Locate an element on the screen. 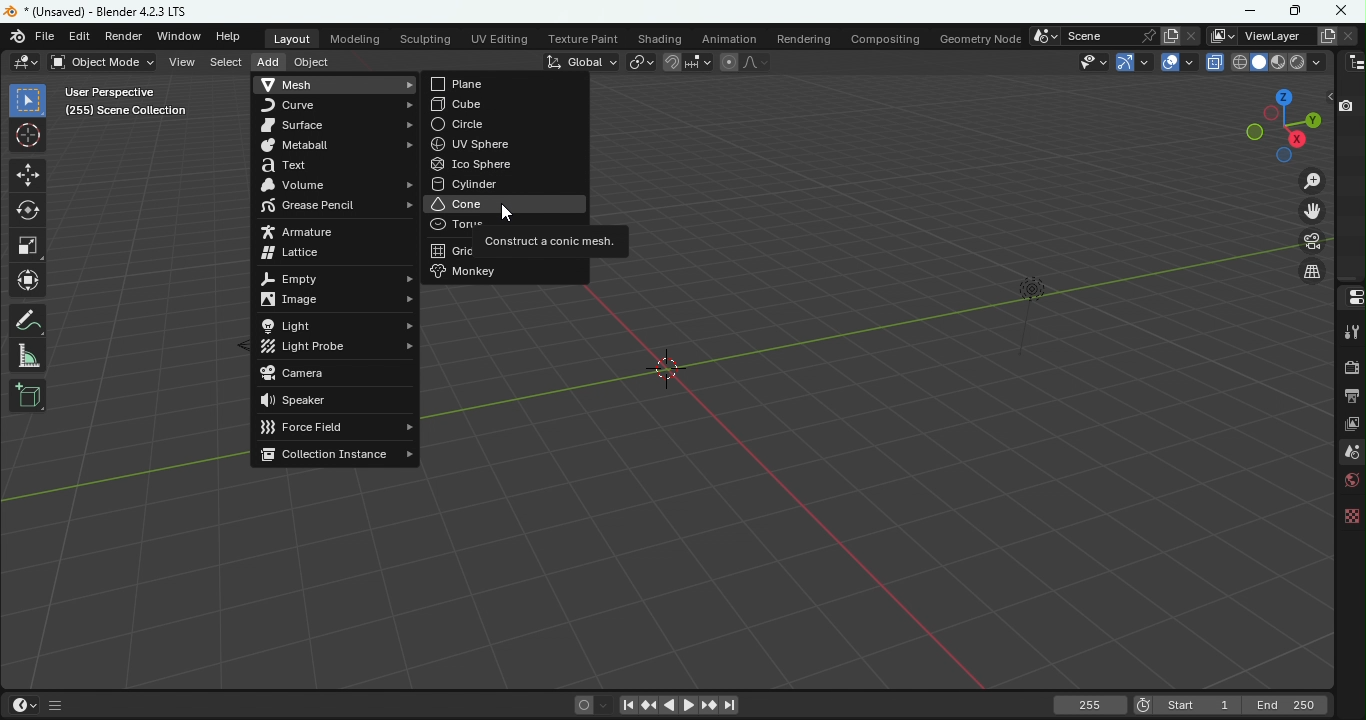 The image size is (1366, 720). Layout is located at coordinates (292, 39).